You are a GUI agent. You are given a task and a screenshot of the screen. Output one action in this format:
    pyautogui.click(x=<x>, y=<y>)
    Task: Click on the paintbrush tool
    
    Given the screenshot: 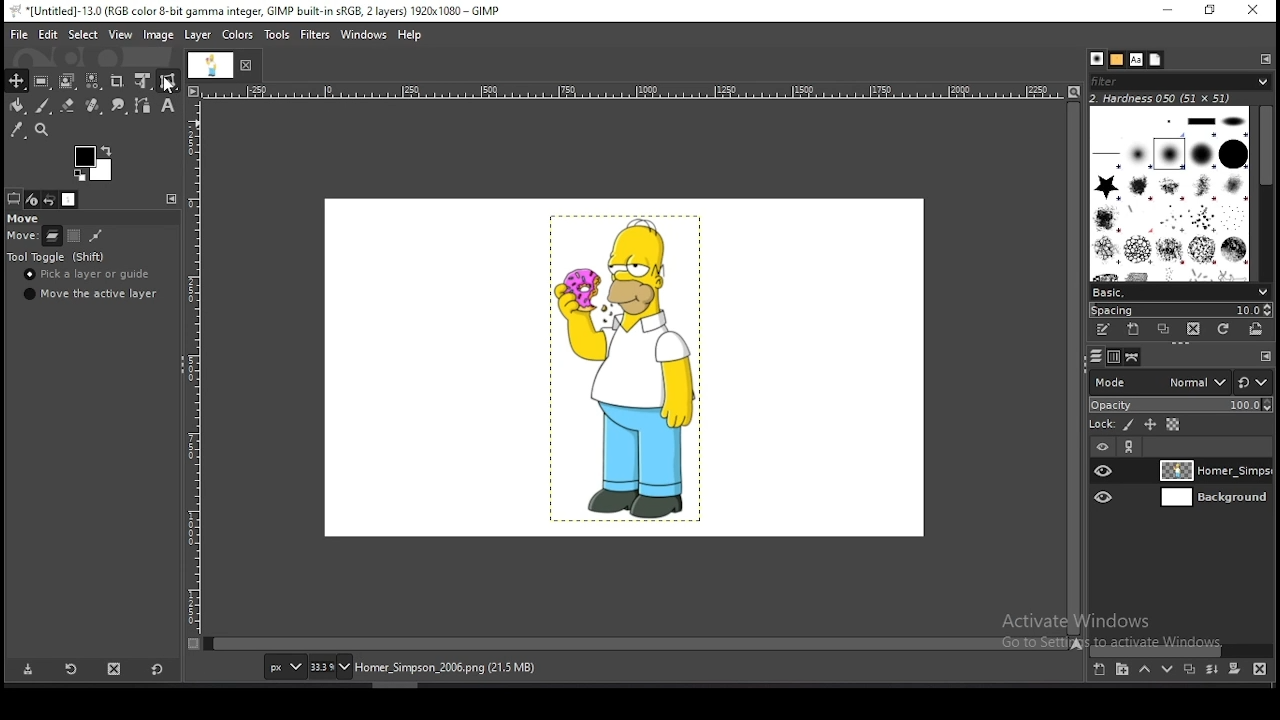 What is the action you would take?
    pyautogui.click(x=42, y=106)
    